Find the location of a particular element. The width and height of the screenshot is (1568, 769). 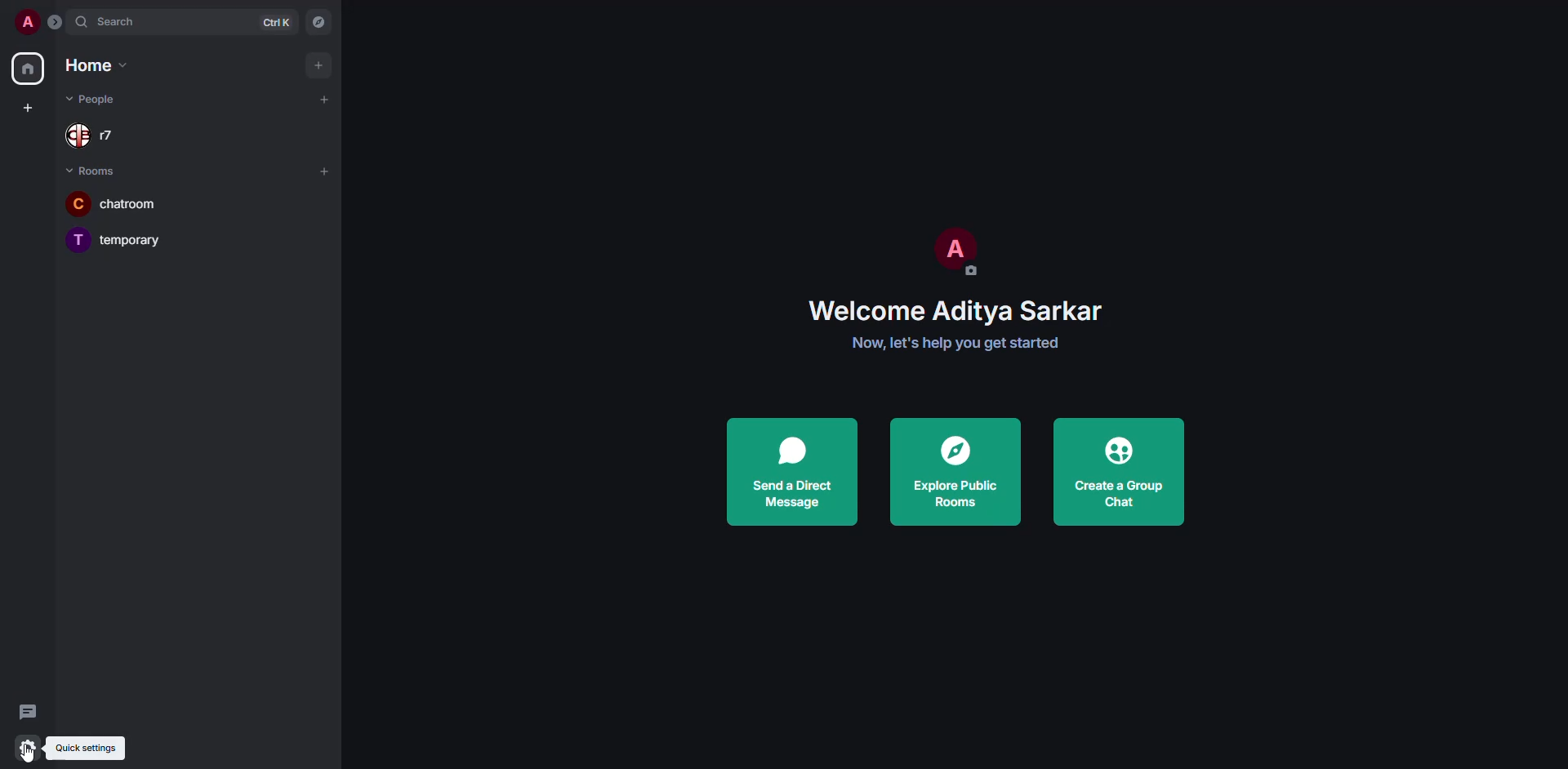

profile is located at coordinates (25, 24).